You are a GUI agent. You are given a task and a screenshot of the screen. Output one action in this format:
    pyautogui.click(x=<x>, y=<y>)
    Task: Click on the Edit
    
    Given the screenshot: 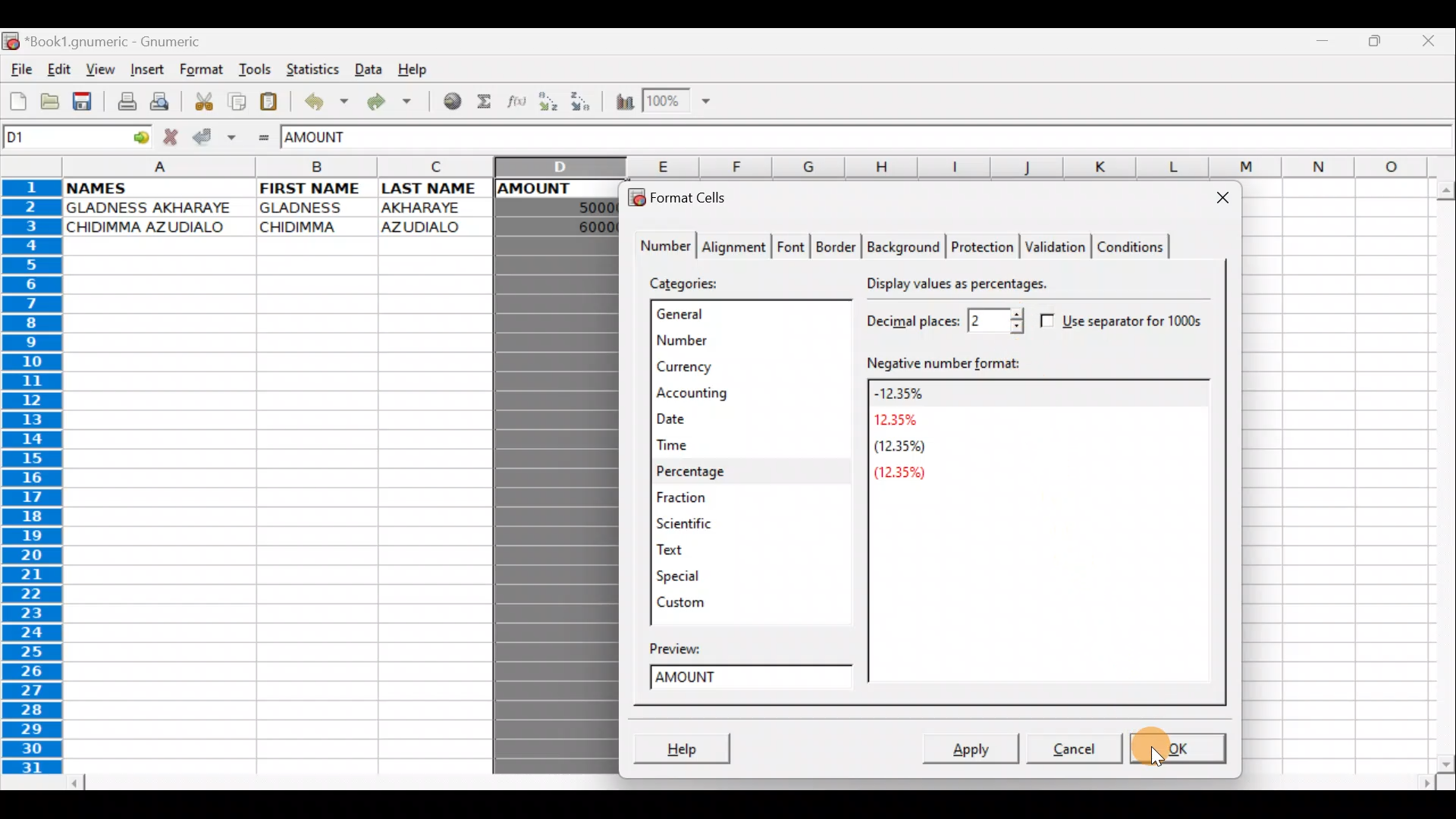 What is the action you would take?
    pyautogui.click(x=61, y=71)
    